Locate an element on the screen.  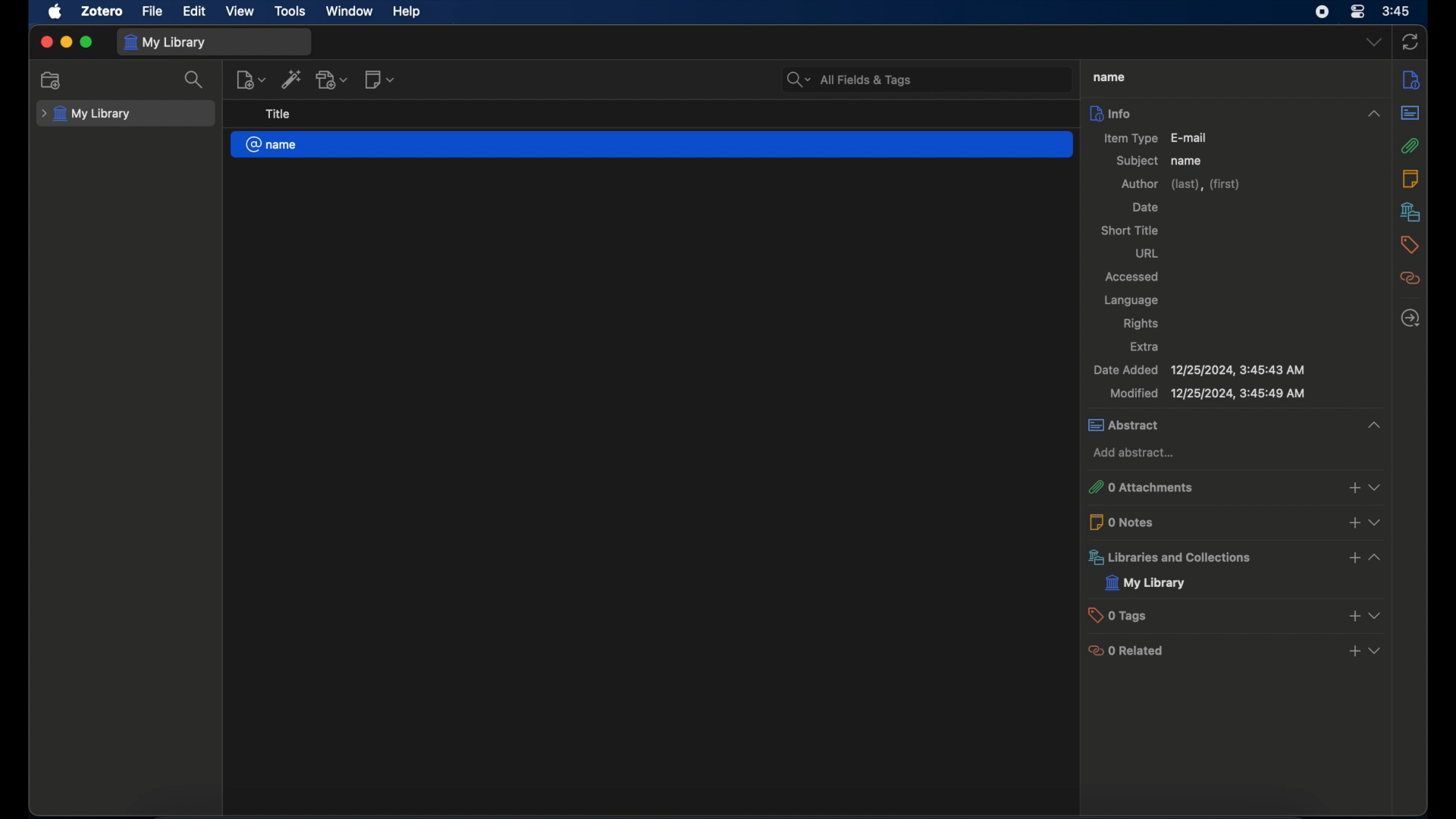
3.45 is located at coordinates (1396, 12).